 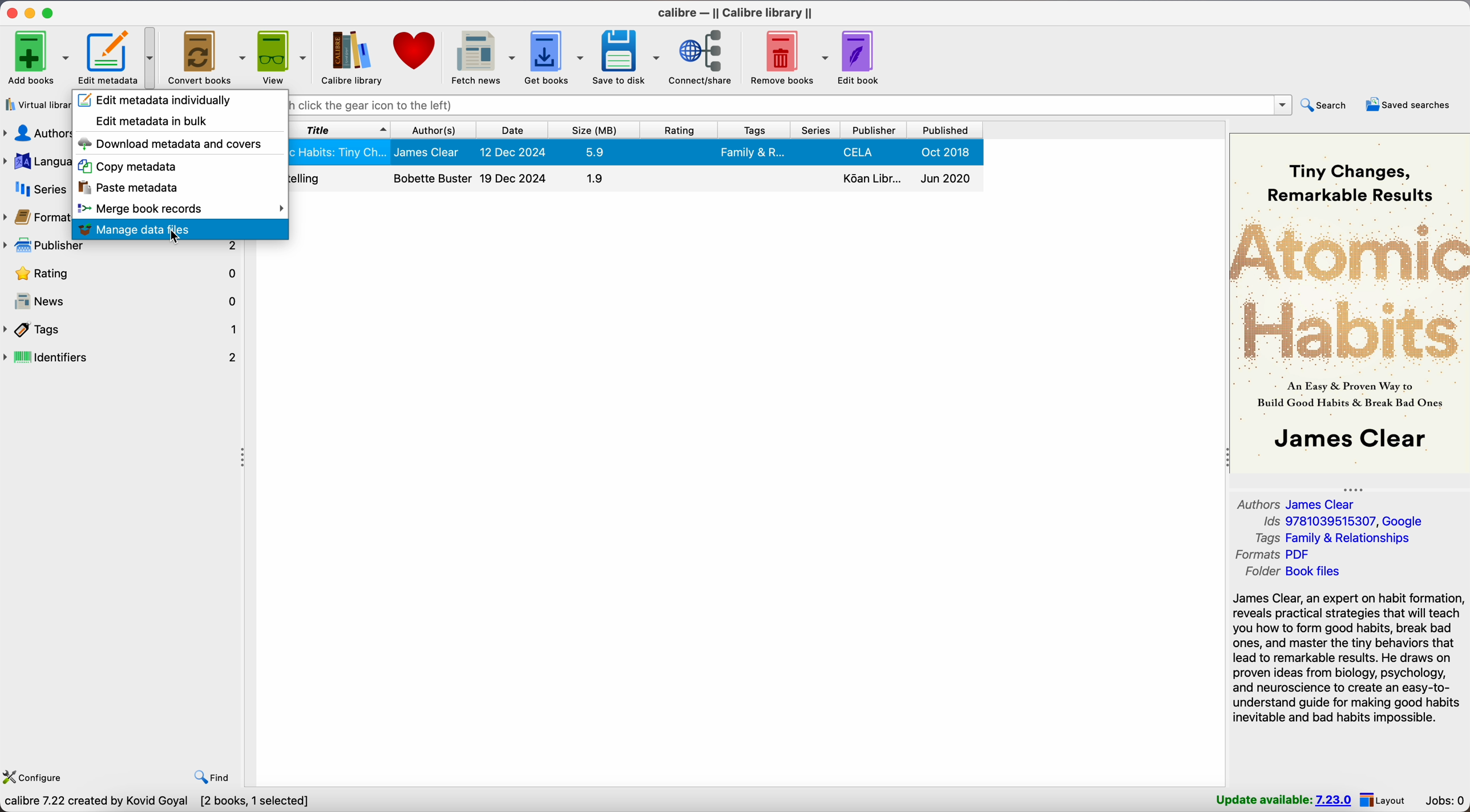 What do you see at coordinates (595, 130) in the screenshot?
I see `size` at bounding box center [595, 130].